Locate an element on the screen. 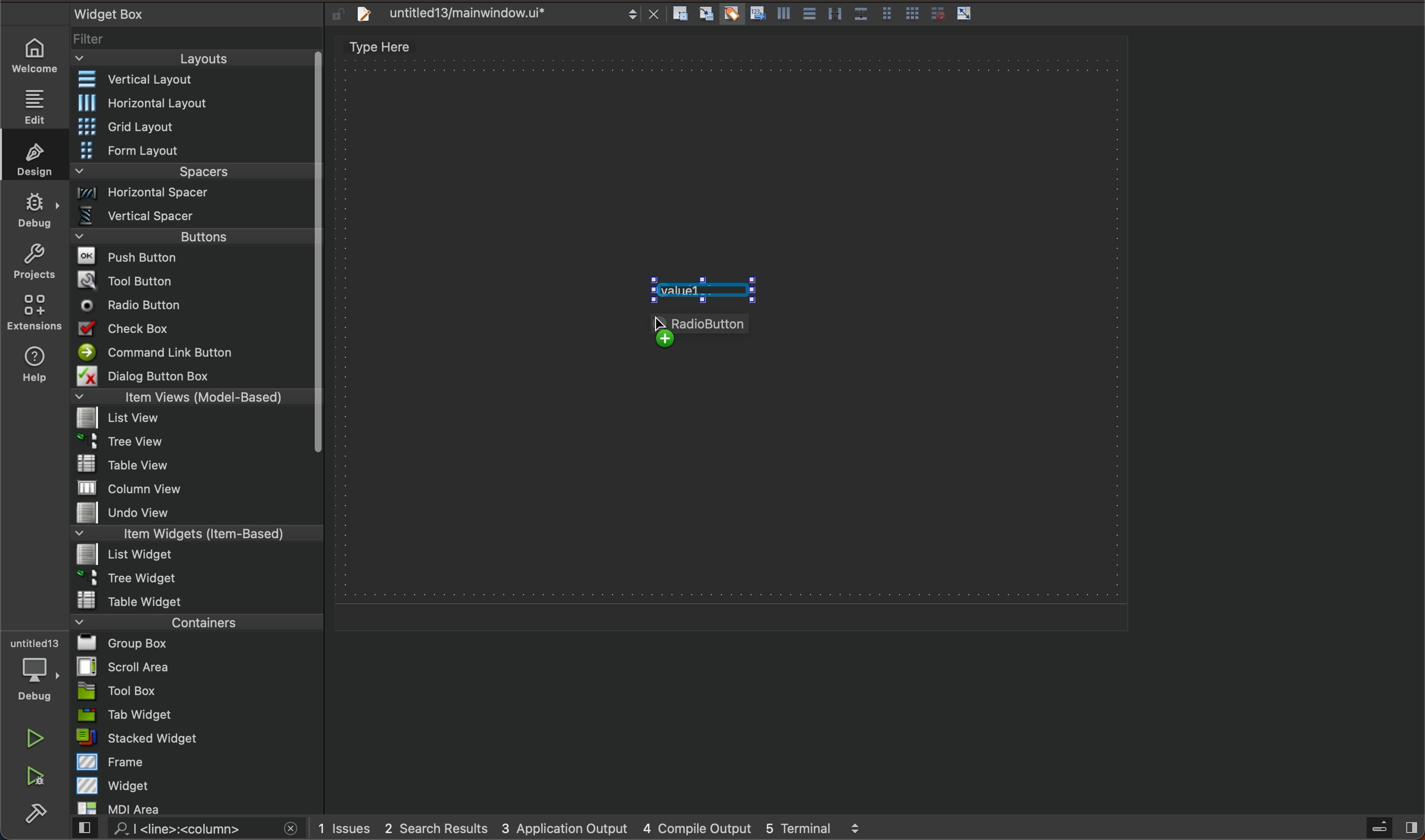  push button is located at coordinates (192, 259).